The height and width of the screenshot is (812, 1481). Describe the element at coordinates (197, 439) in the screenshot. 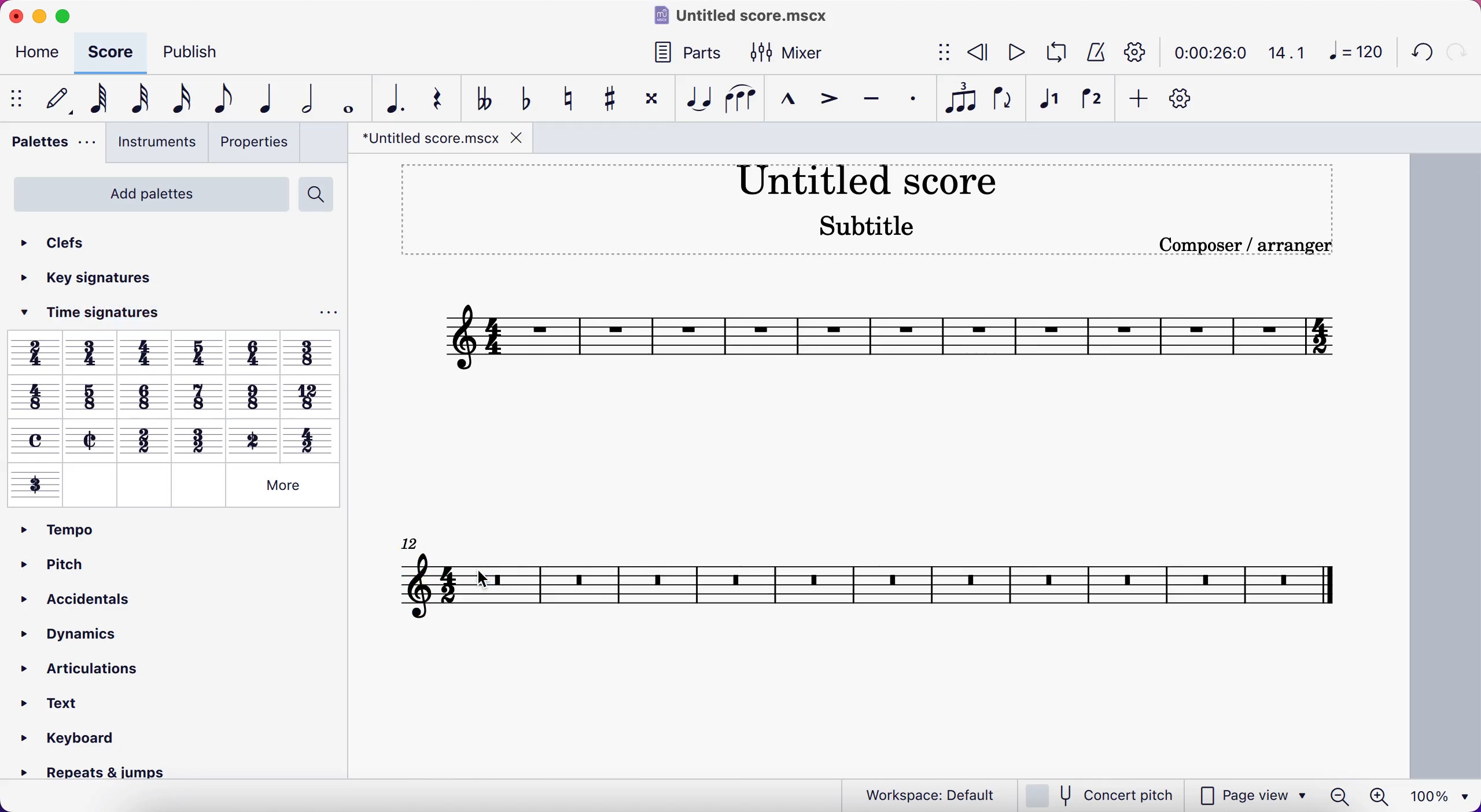

I see `` at that location.